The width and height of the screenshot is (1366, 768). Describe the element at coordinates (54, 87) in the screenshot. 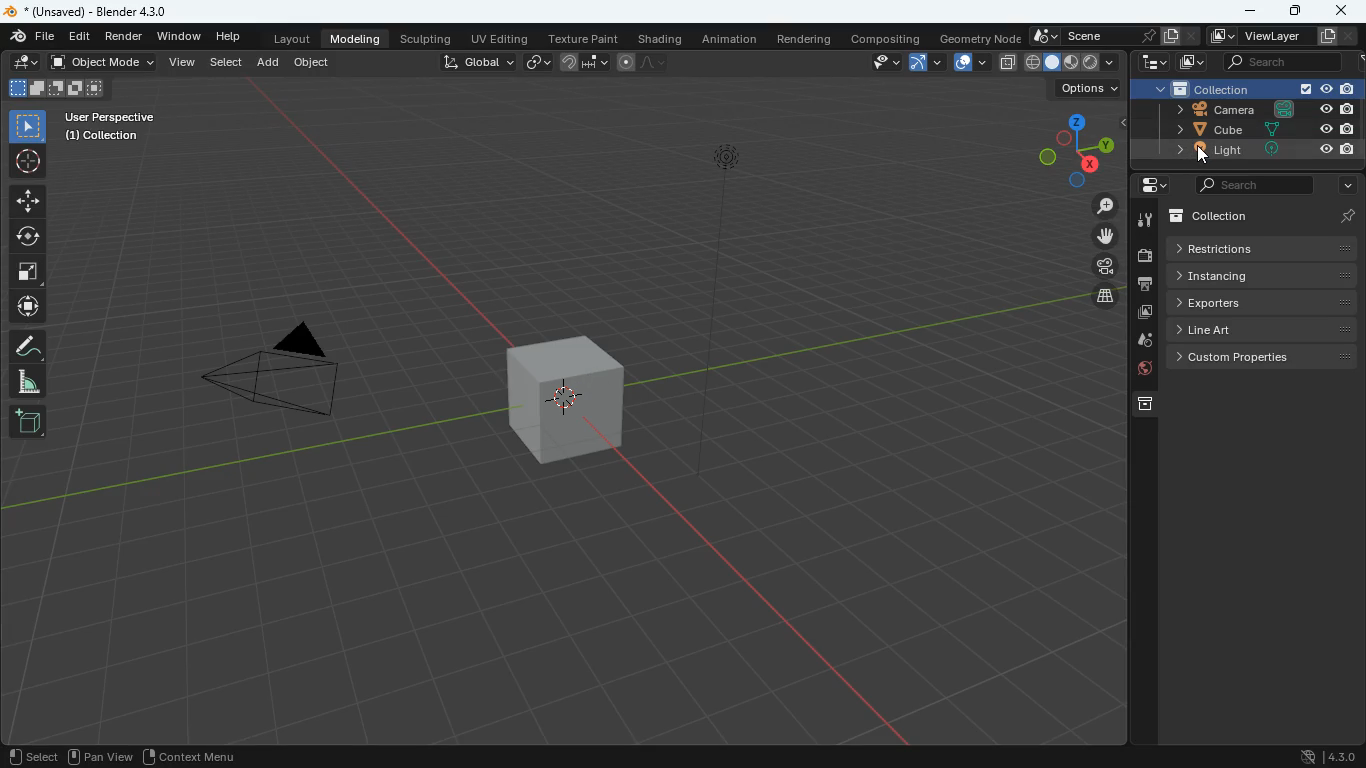

I see `image type` at that location.